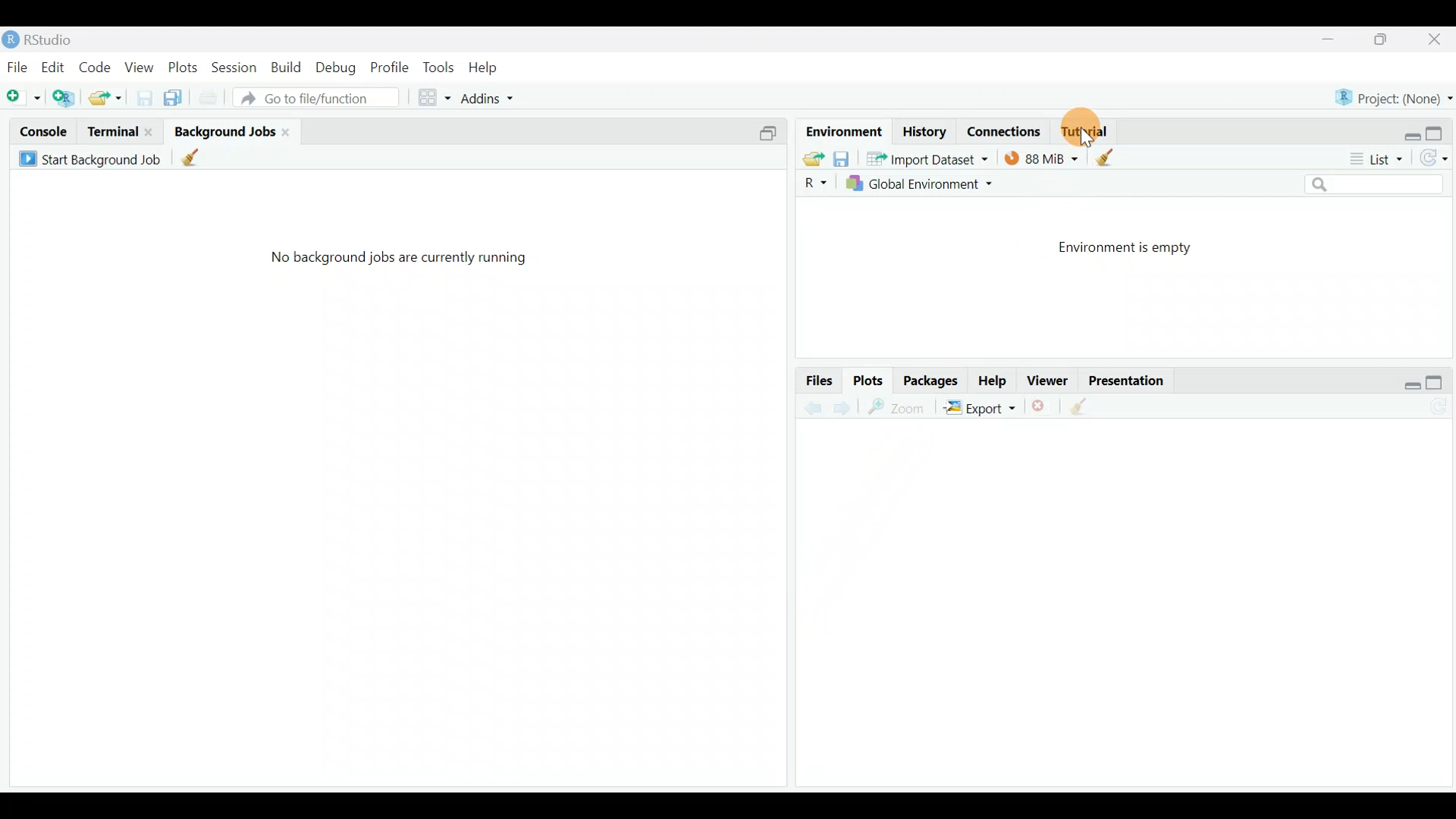 The height and width of the screenshot is (819, 1456). I want to click on Close, so click(1436, 40).